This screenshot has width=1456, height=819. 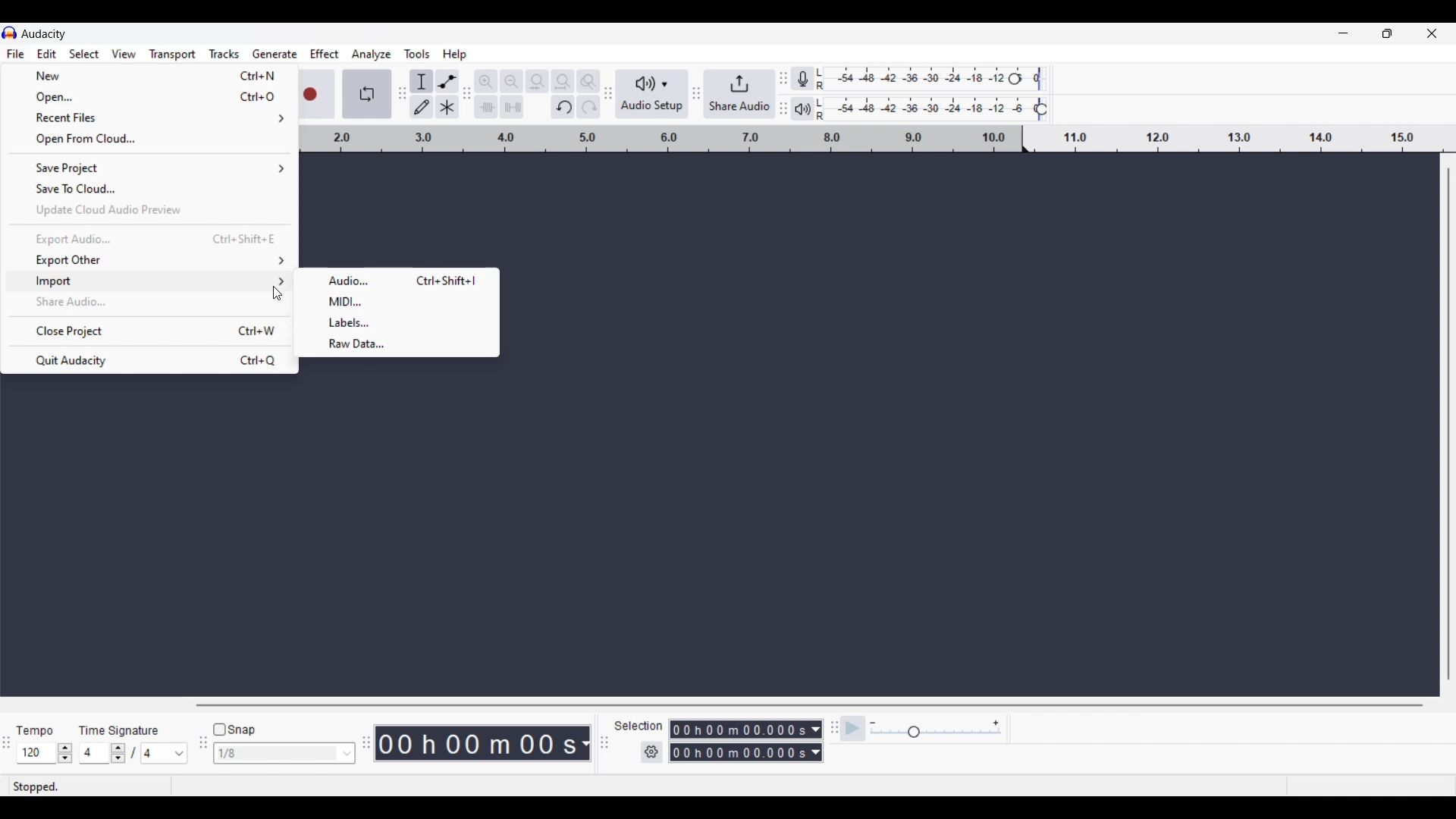 What do you see at coordinates (225, 54) in the screenshot?
I see `Tracks menu` at bounding box center [225, 54].